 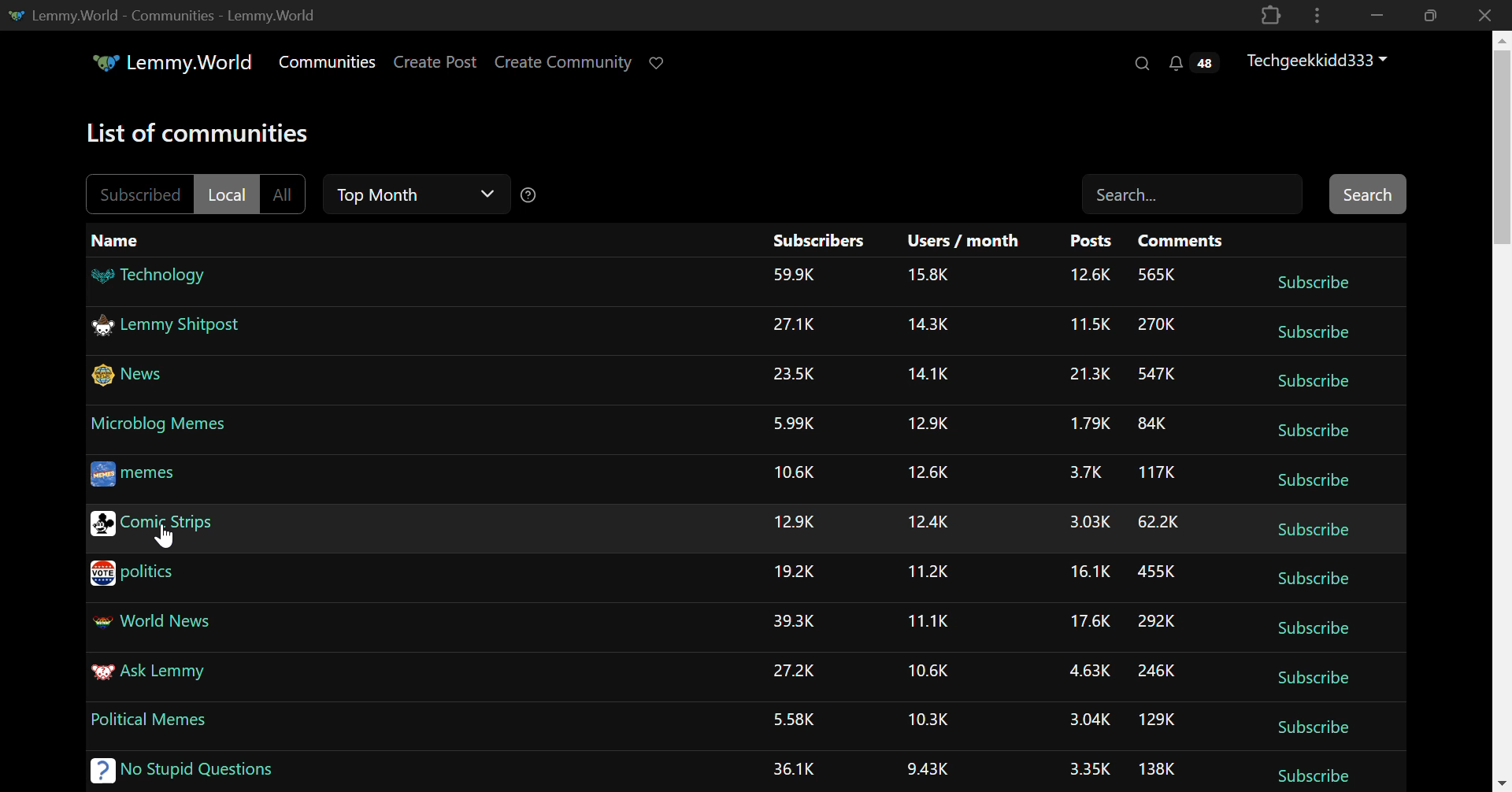 I want to click on Lemmy.World-Communities-Lemmy.World, so click(x=162, y=13).